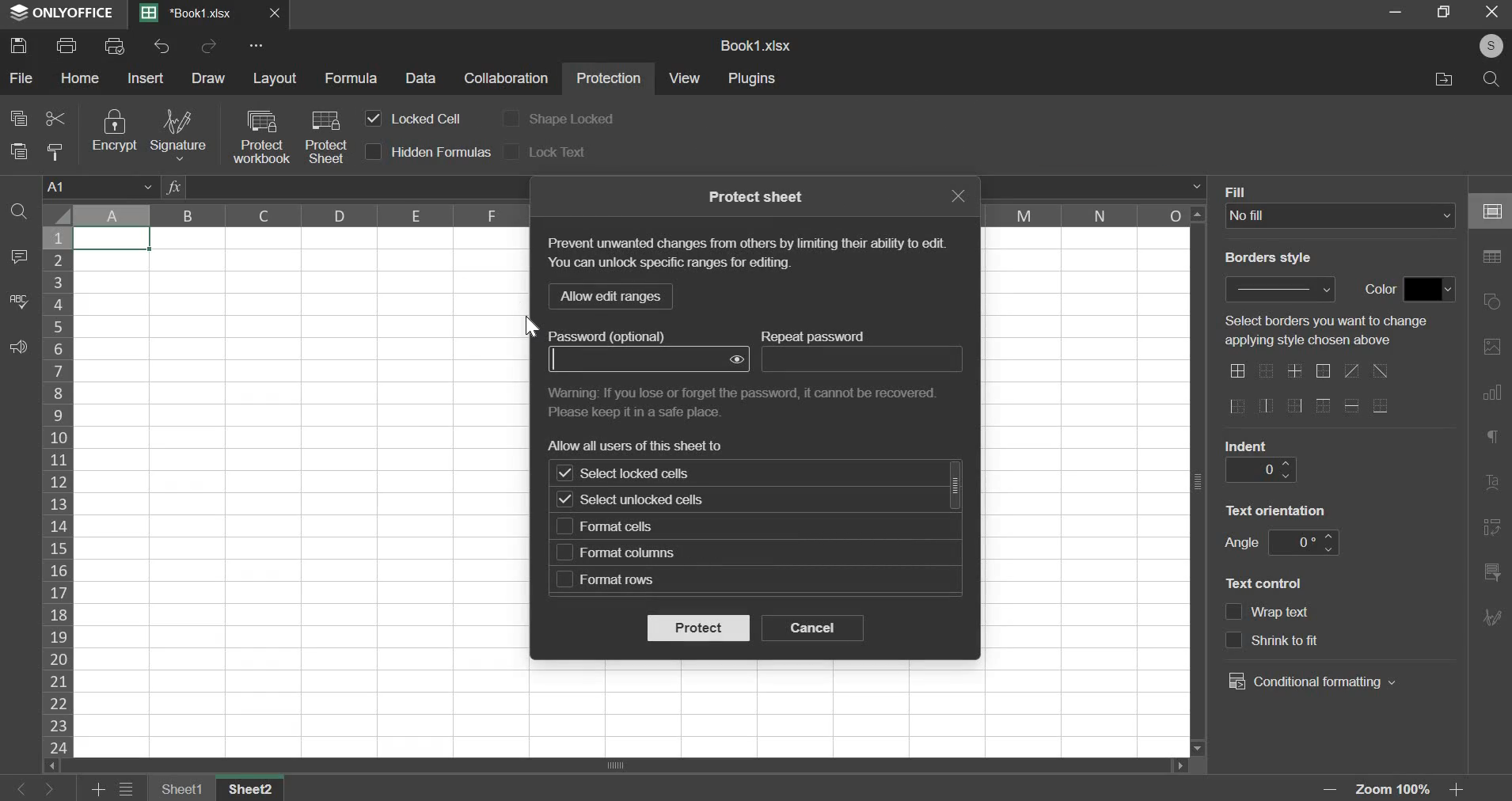 Image resolution: width=1512 pixels, height=801 pixels. What do you see at coordinates (275, 78) in the screenshot?
I see `layout` at bounding box center [275, 78].